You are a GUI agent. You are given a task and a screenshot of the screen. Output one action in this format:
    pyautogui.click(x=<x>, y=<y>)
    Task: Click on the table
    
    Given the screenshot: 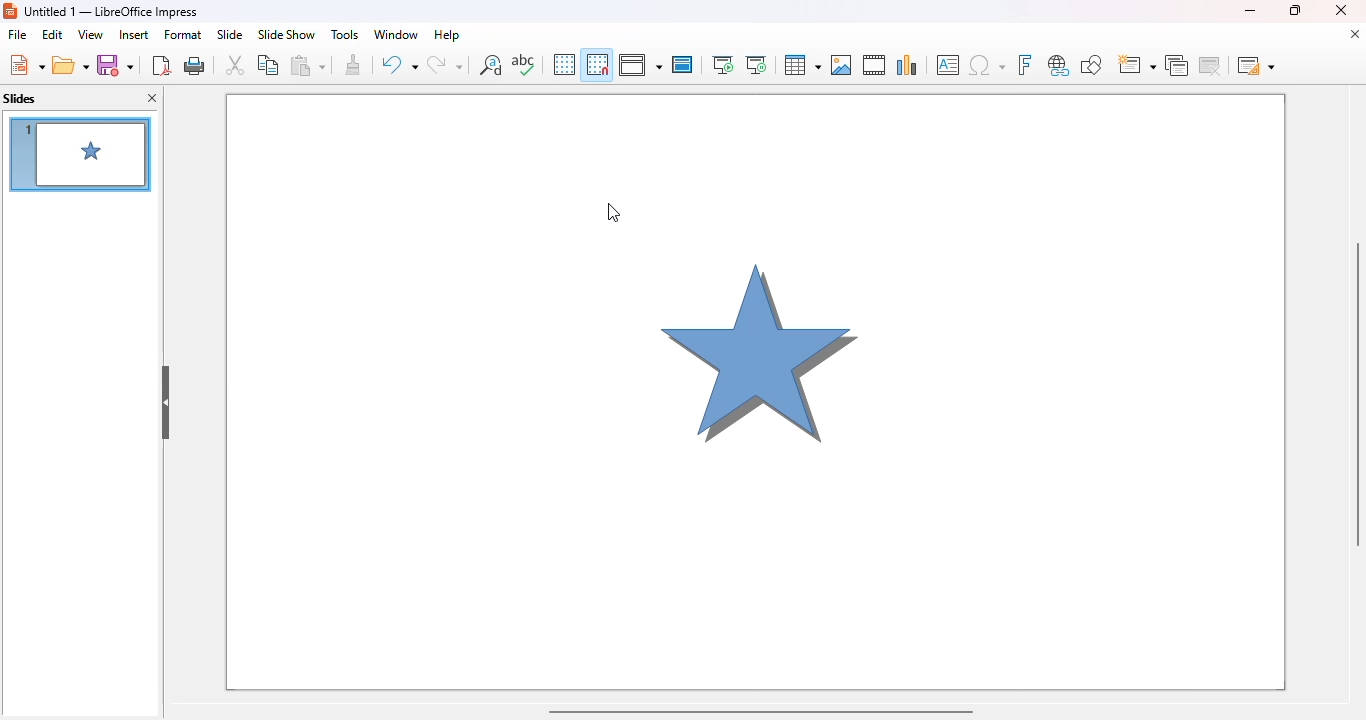 What is the action you would take?
    pyautogui.click(x=803, y=65)
    